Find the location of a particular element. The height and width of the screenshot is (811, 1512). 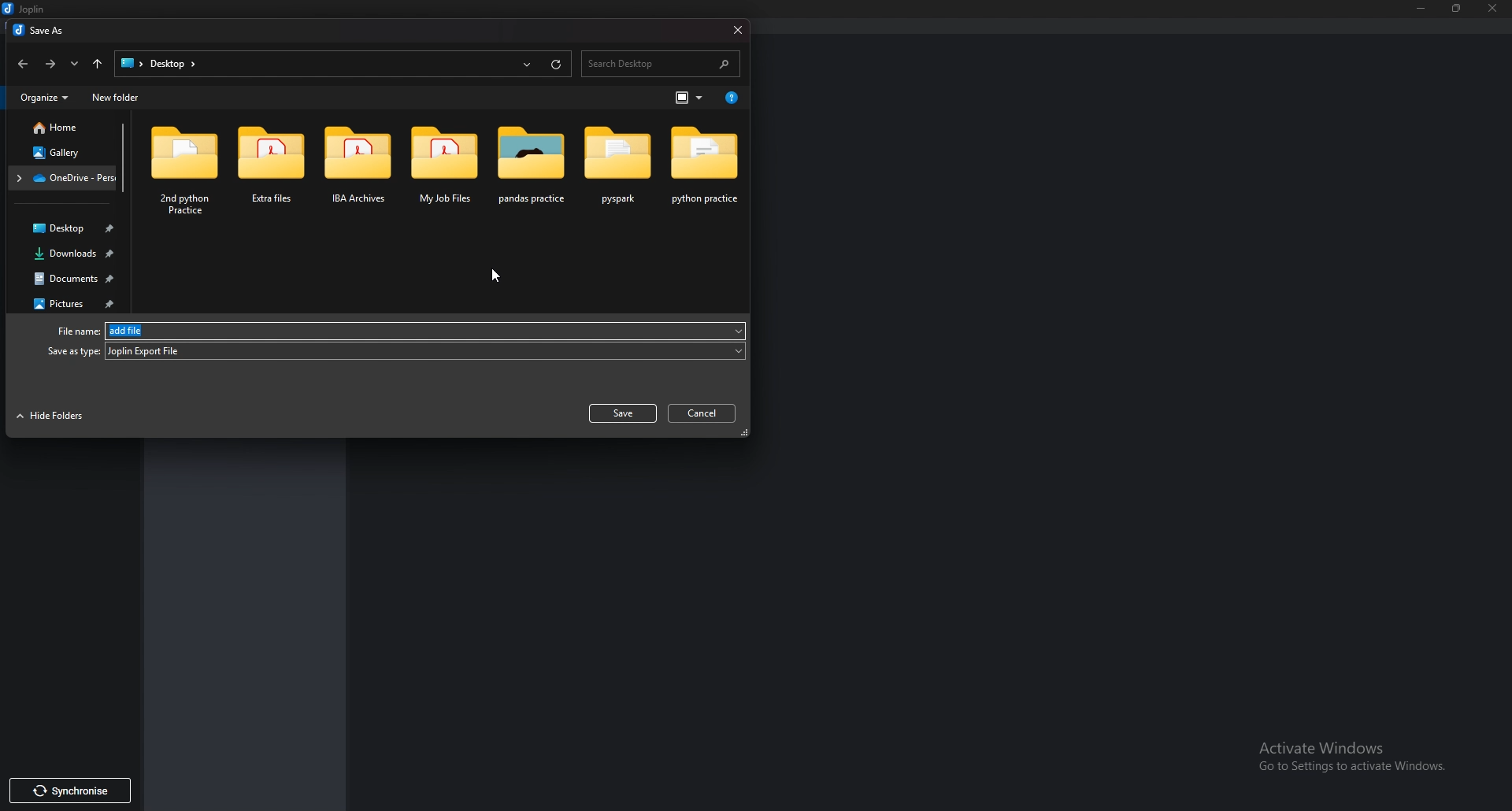

folder is located at coordinates (617, 165).